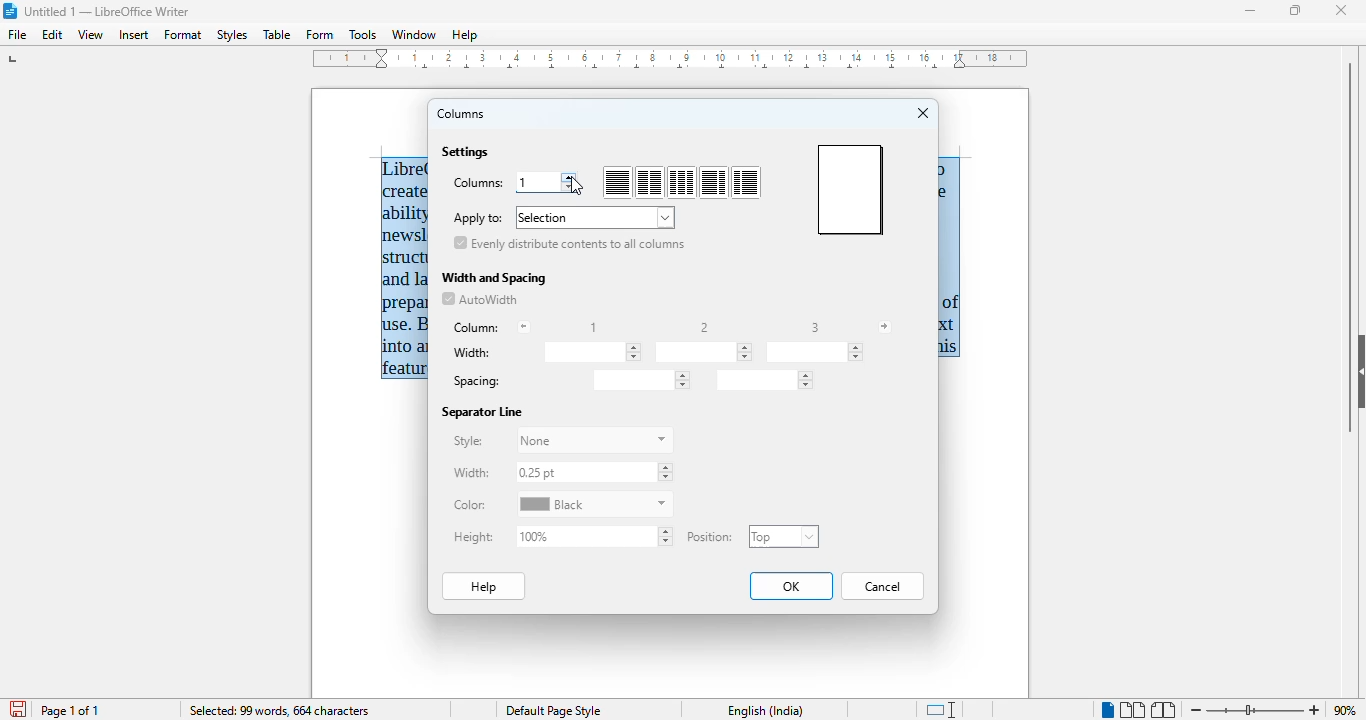  I want to click on Libre Create ability newsl struct and la Prepar use. B into a featur, so click(405, 268).